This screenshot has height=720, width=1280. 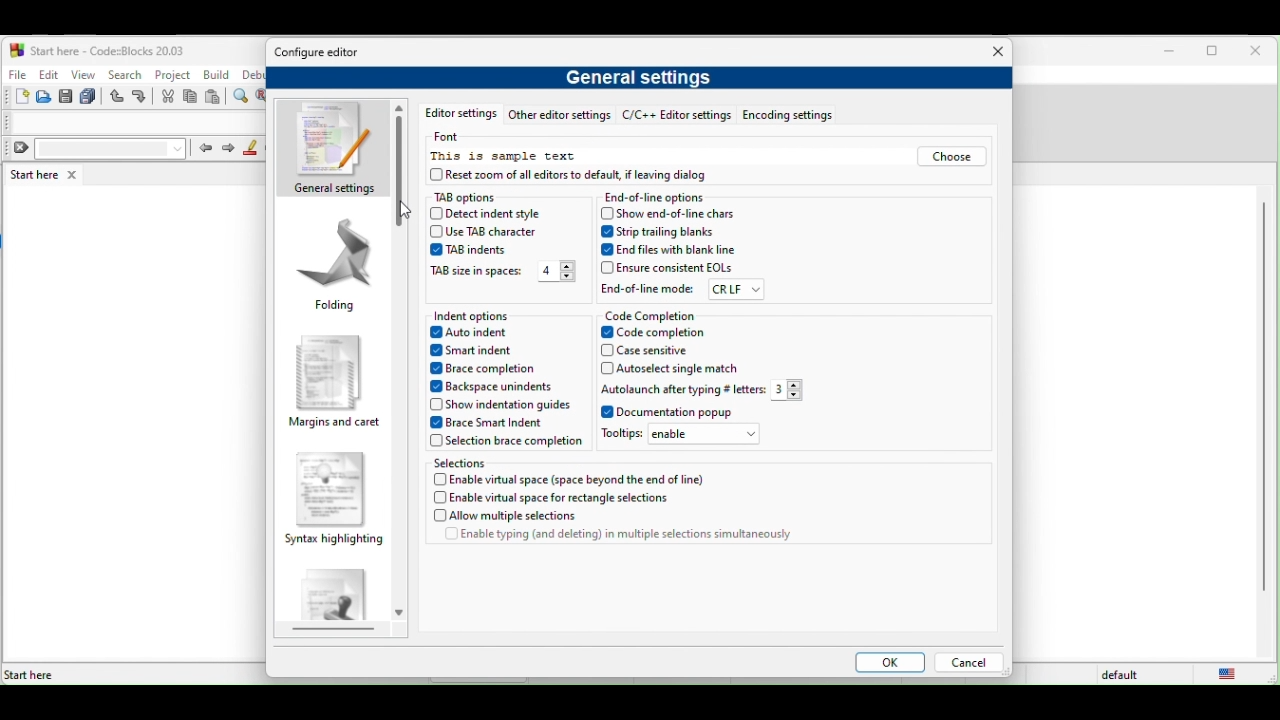 I want to click on case sensitive, so click(x=658, y=351).